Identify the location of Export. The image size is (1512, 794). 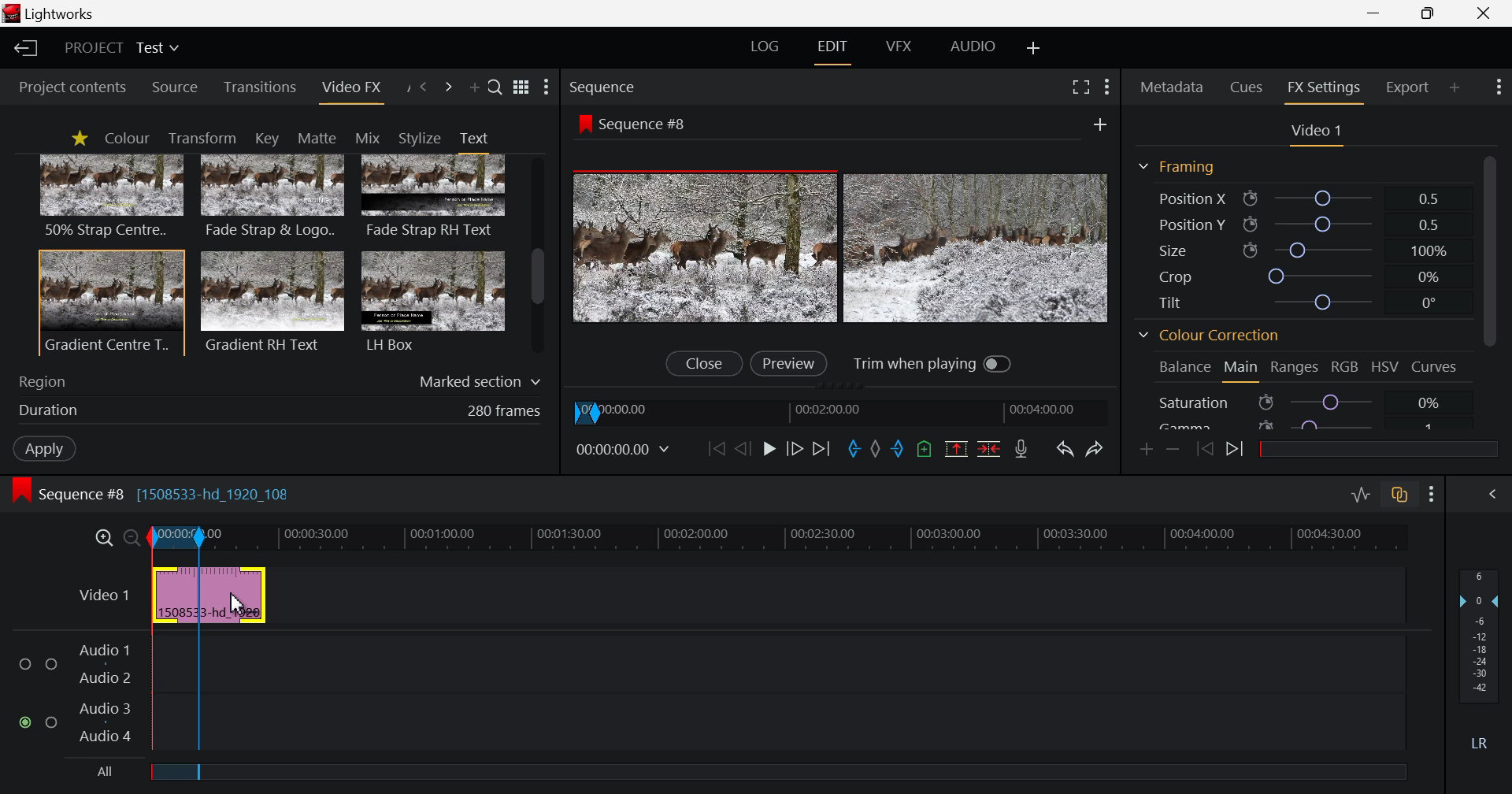
(1408, 85).